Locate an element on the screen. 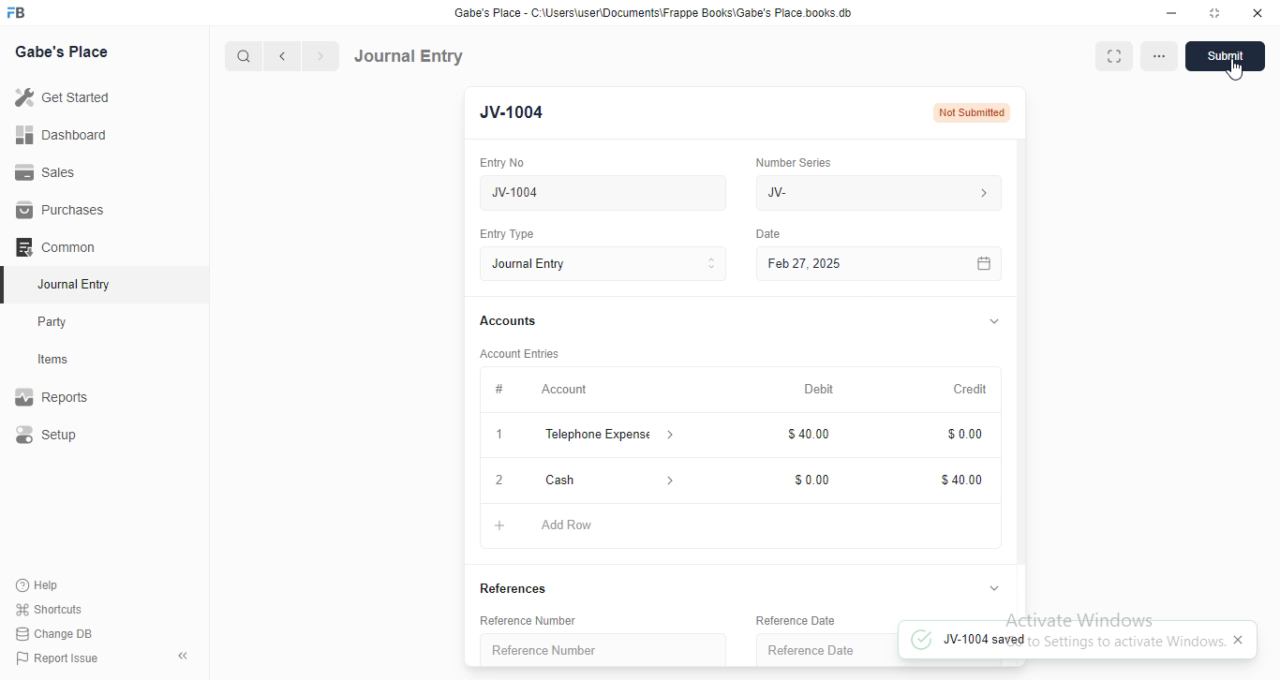  New Journal Entry 02 is located at coordinates (605, 193).